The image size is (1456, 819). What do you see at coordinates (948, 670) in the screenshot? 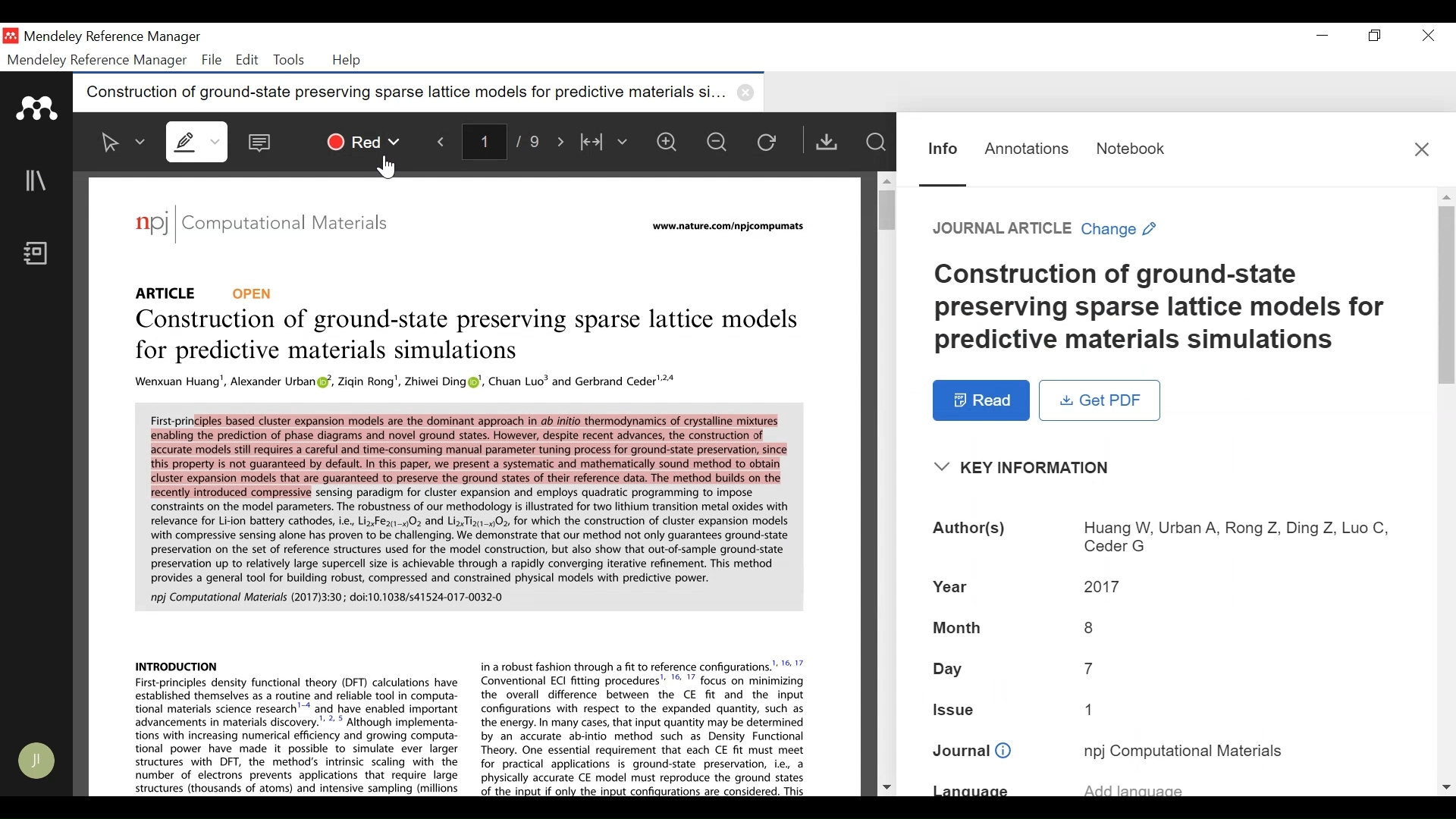
I see `Day` at bounding box center [948, 670].